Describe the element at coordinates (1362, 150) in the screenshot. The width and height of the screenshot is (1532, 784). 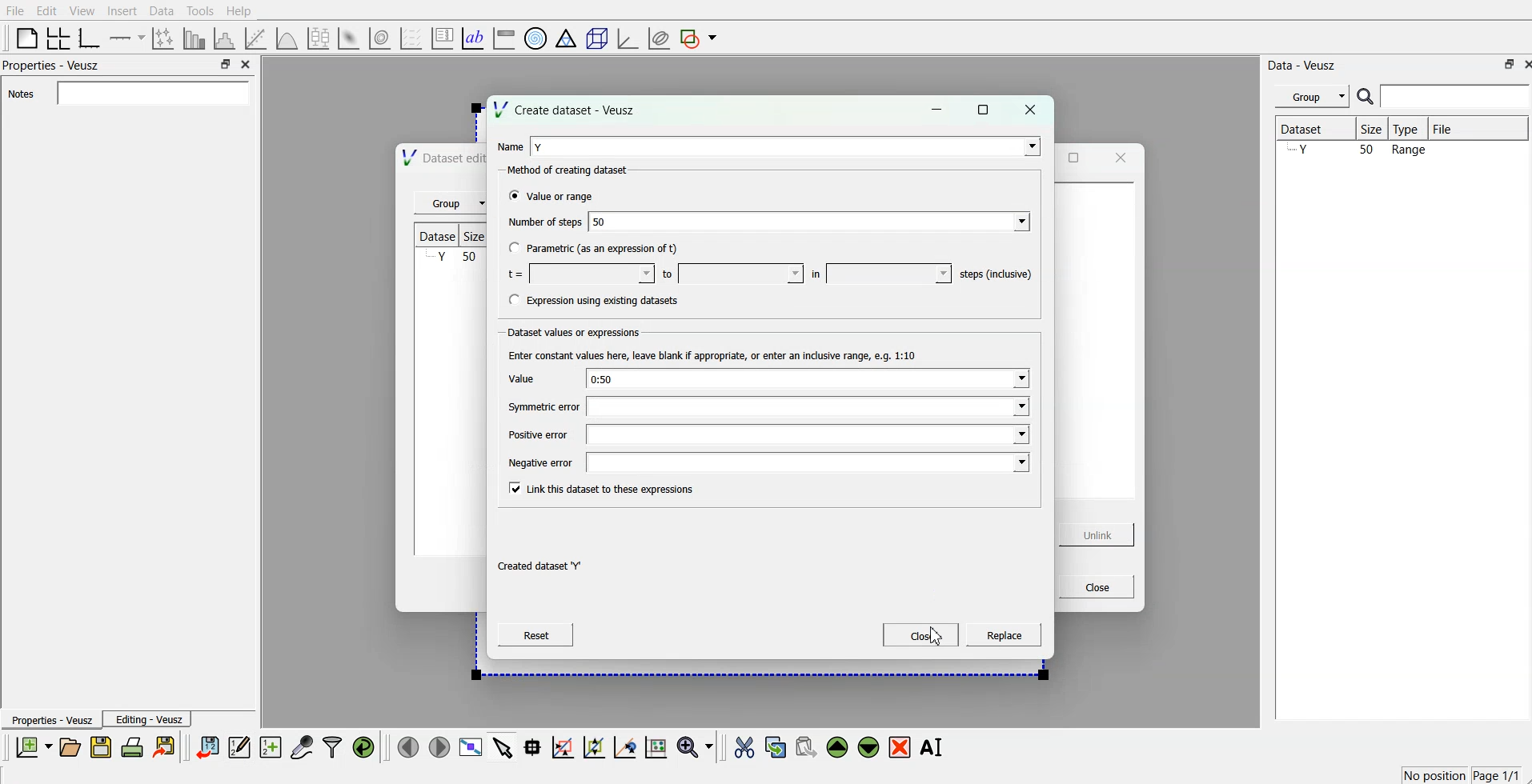
I see `Y 50 Range` at that location.